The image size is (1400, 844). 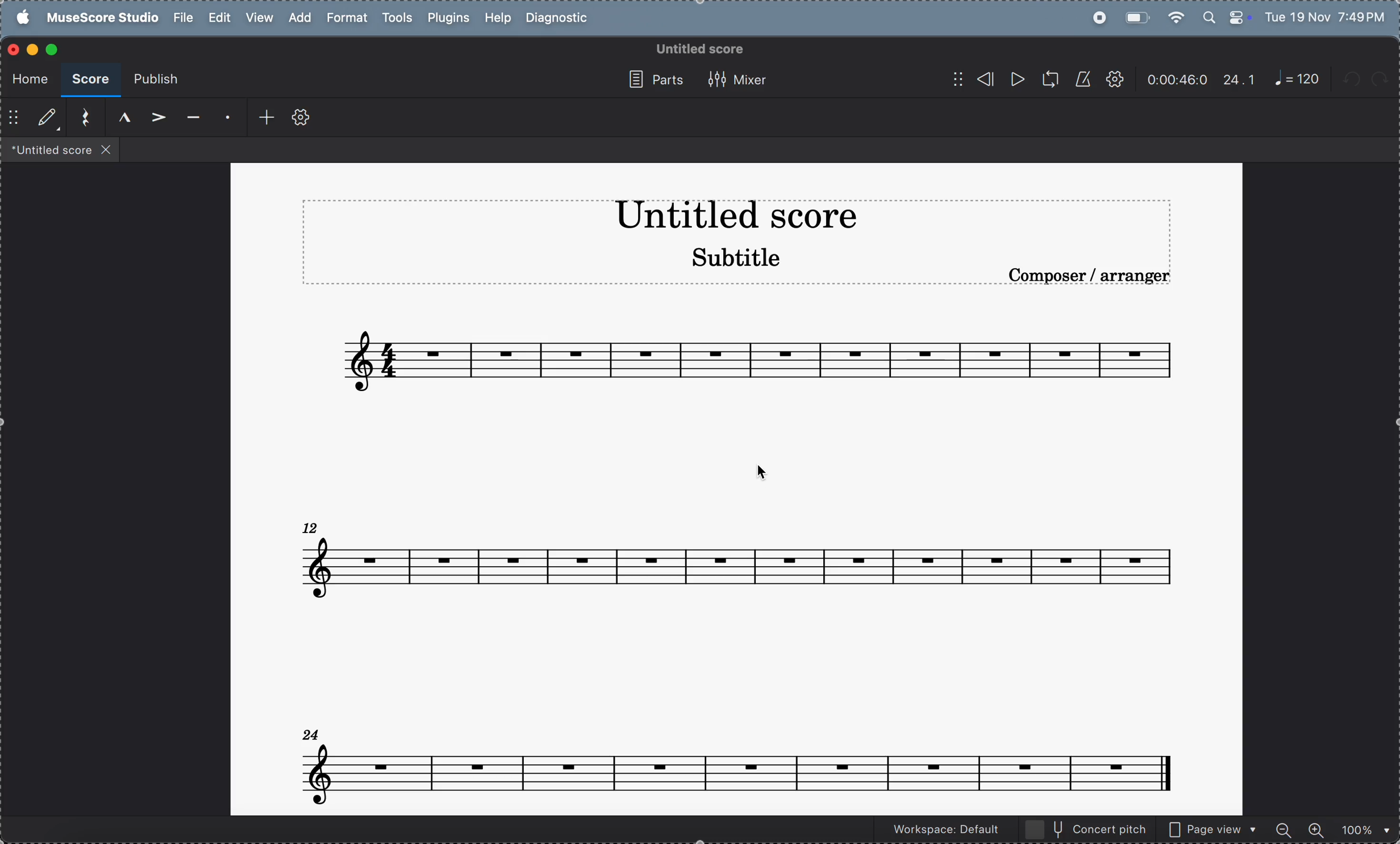 I want to click on zoom percentage, so click(x=1362, y=829).